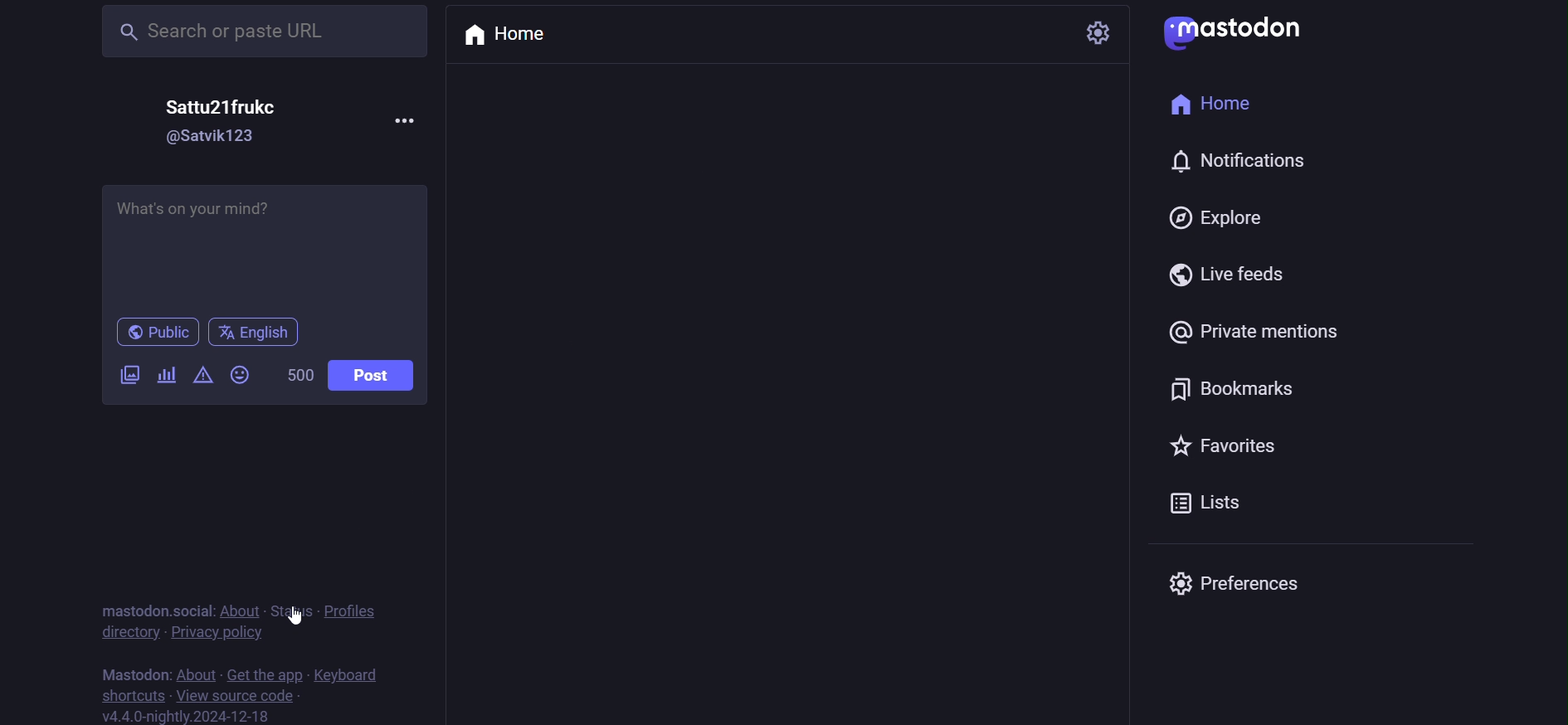  What do you see at coordinates (295, 616) in the screenshot?
I see `Cursor` at bounding box center [295, 616].